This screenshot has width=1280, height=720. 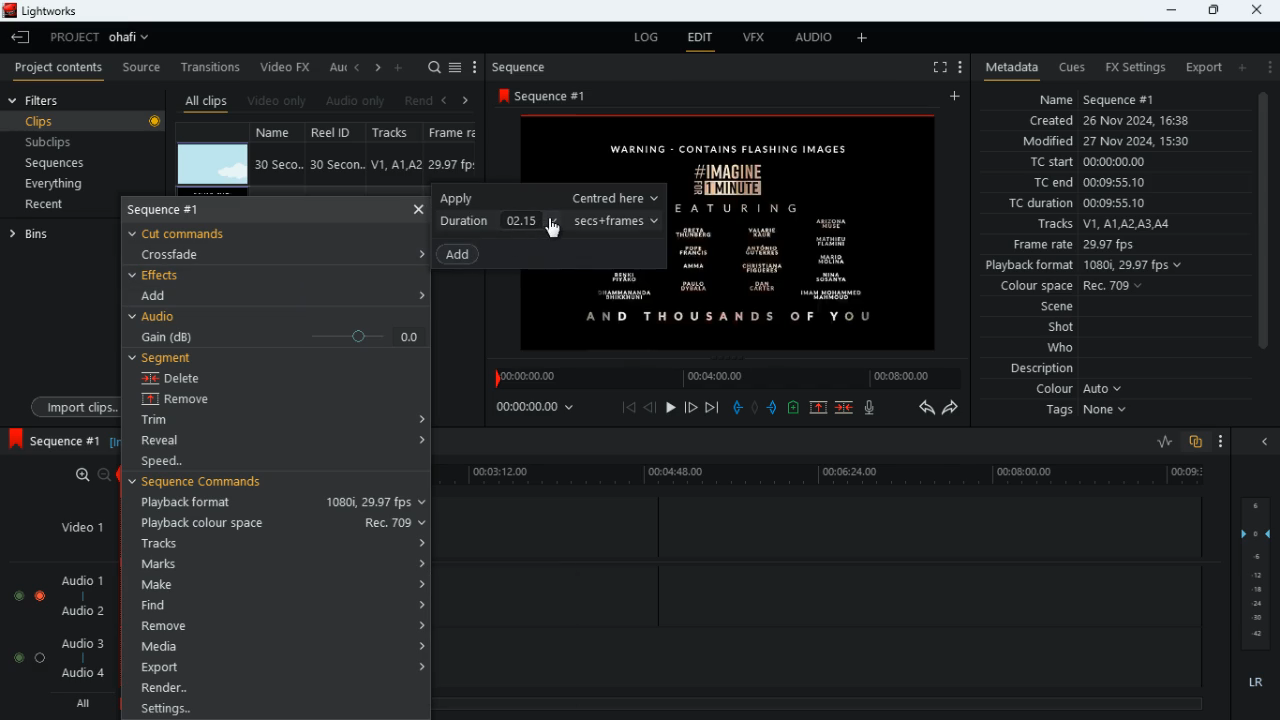 What do you see at coordinates (958, 97) in the screenshot?
I see `add` at bounding box center [958, 97].